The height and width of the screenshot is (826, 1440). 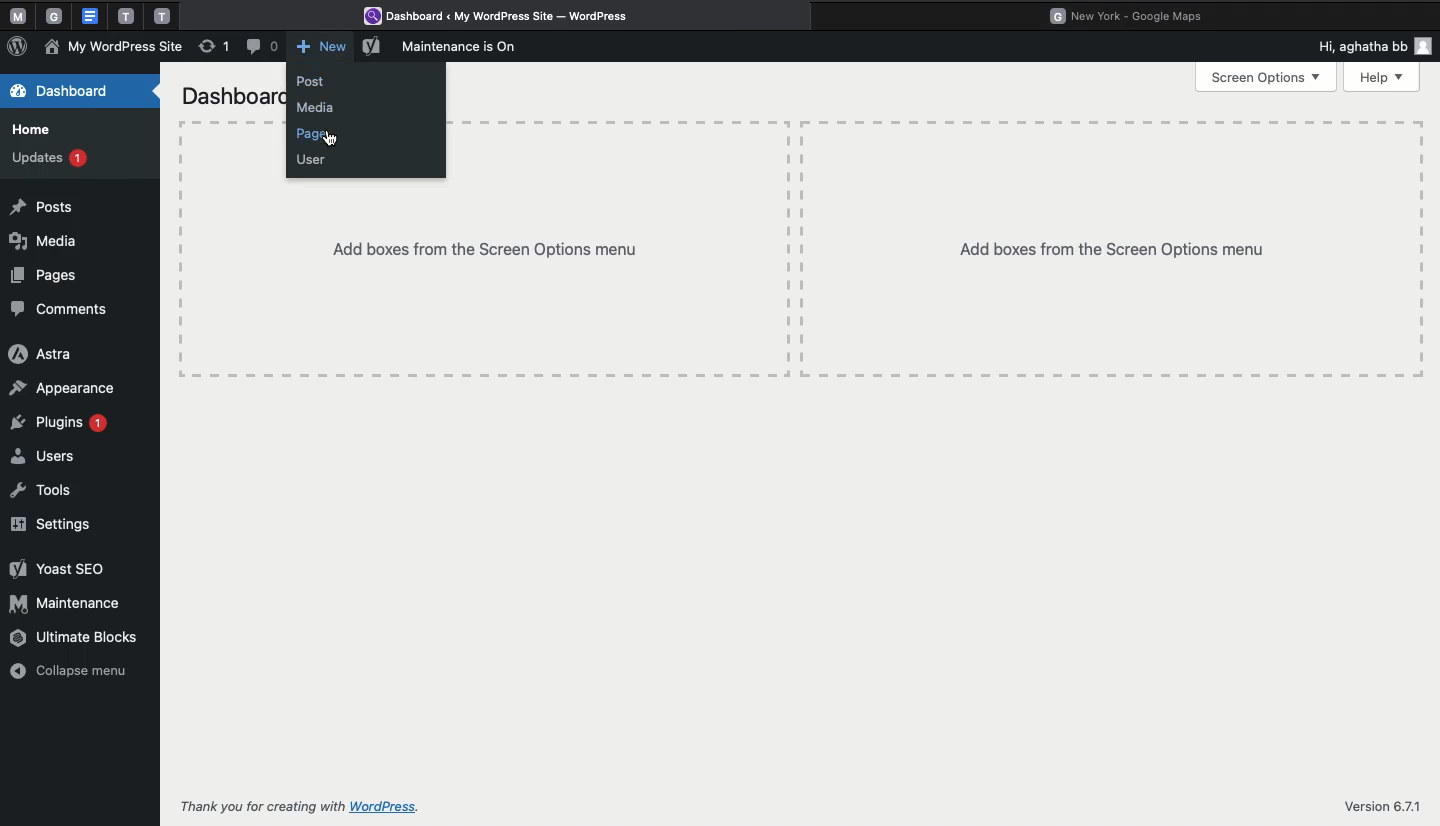 What do you see at coordinates (62, 308) in the screenshot?
I see `Comments` at bounding box center [62, 308].